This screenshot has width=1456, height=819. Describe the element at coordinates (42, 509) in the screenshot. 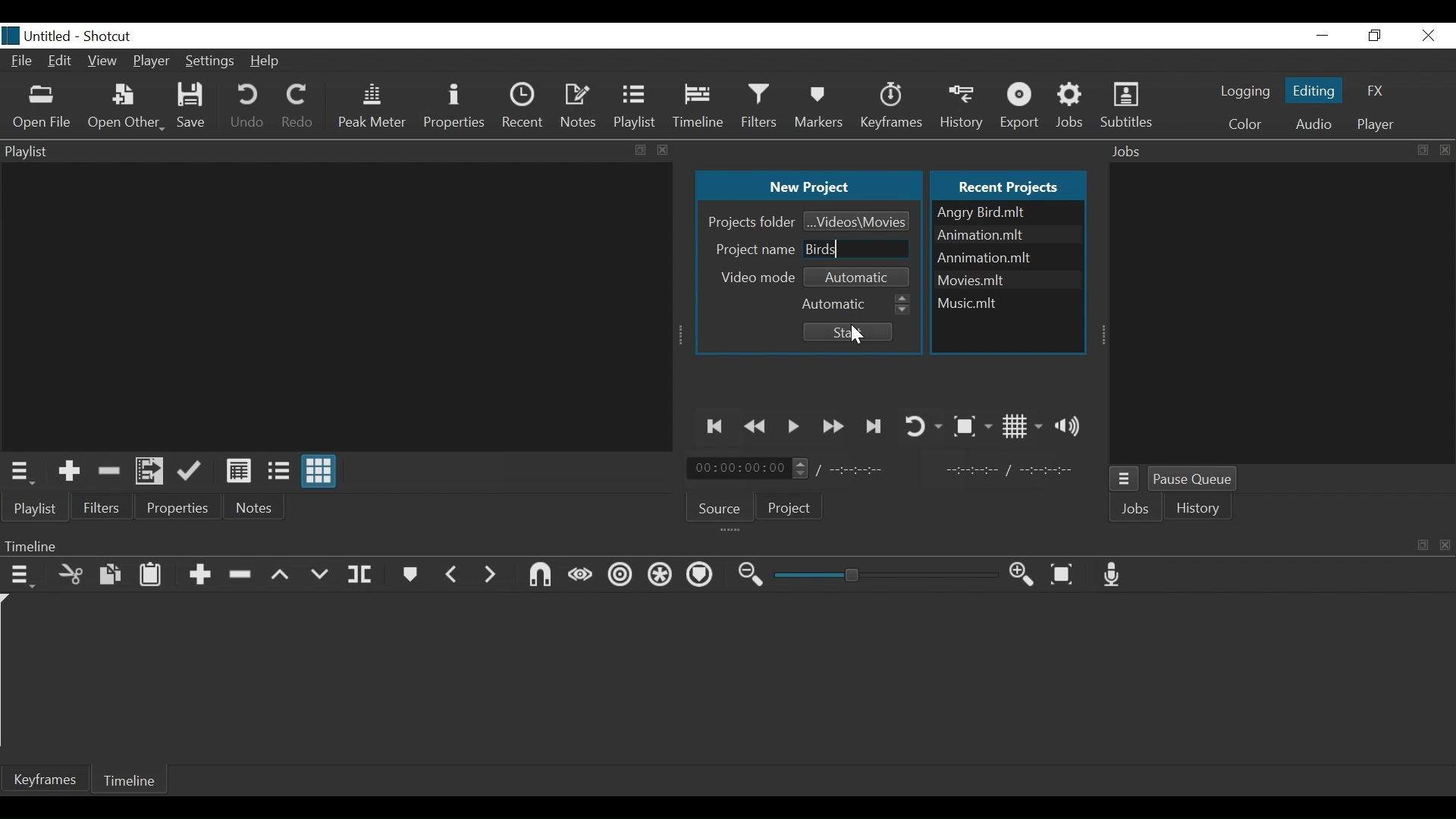

I see `Playlist menu` at that location.